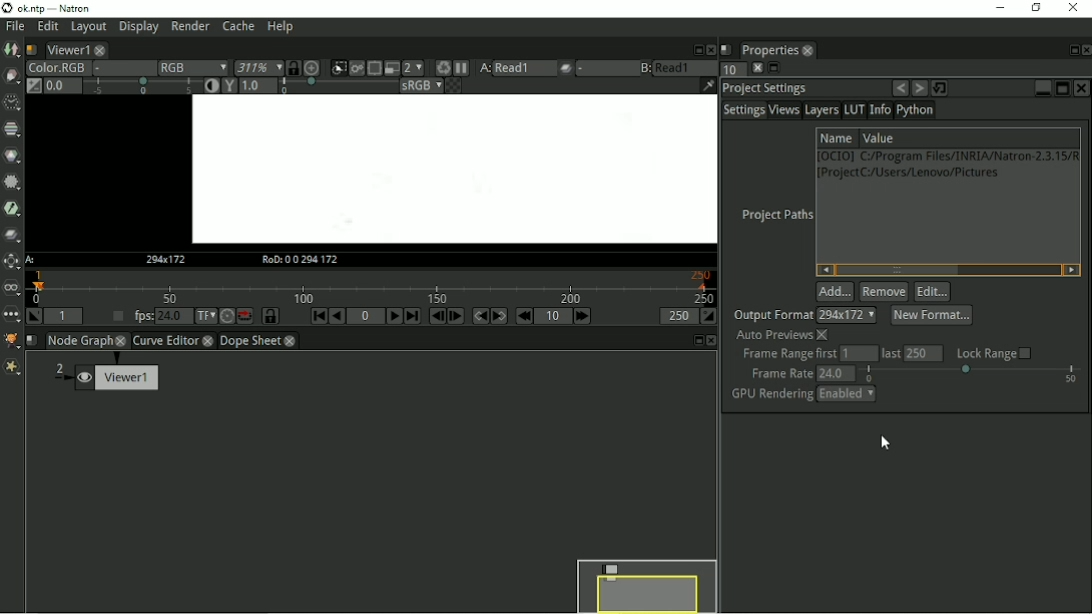  What do you see at coordinates (300, 260) in the screenshot?
I see `RoD` at bounding box center [300, 260].